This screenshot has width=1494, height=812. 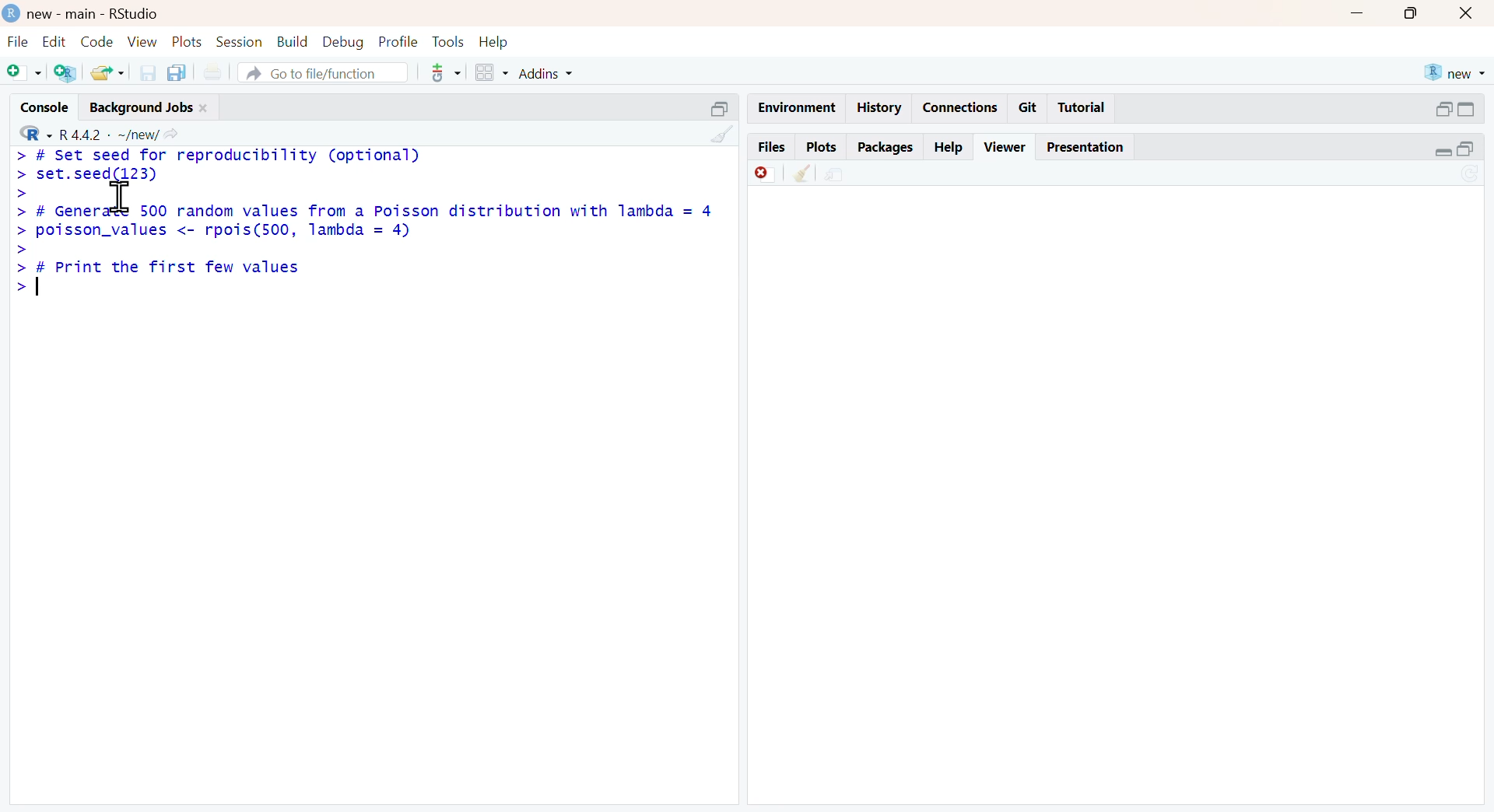 I want to click on view, so click(x=142, y=40).